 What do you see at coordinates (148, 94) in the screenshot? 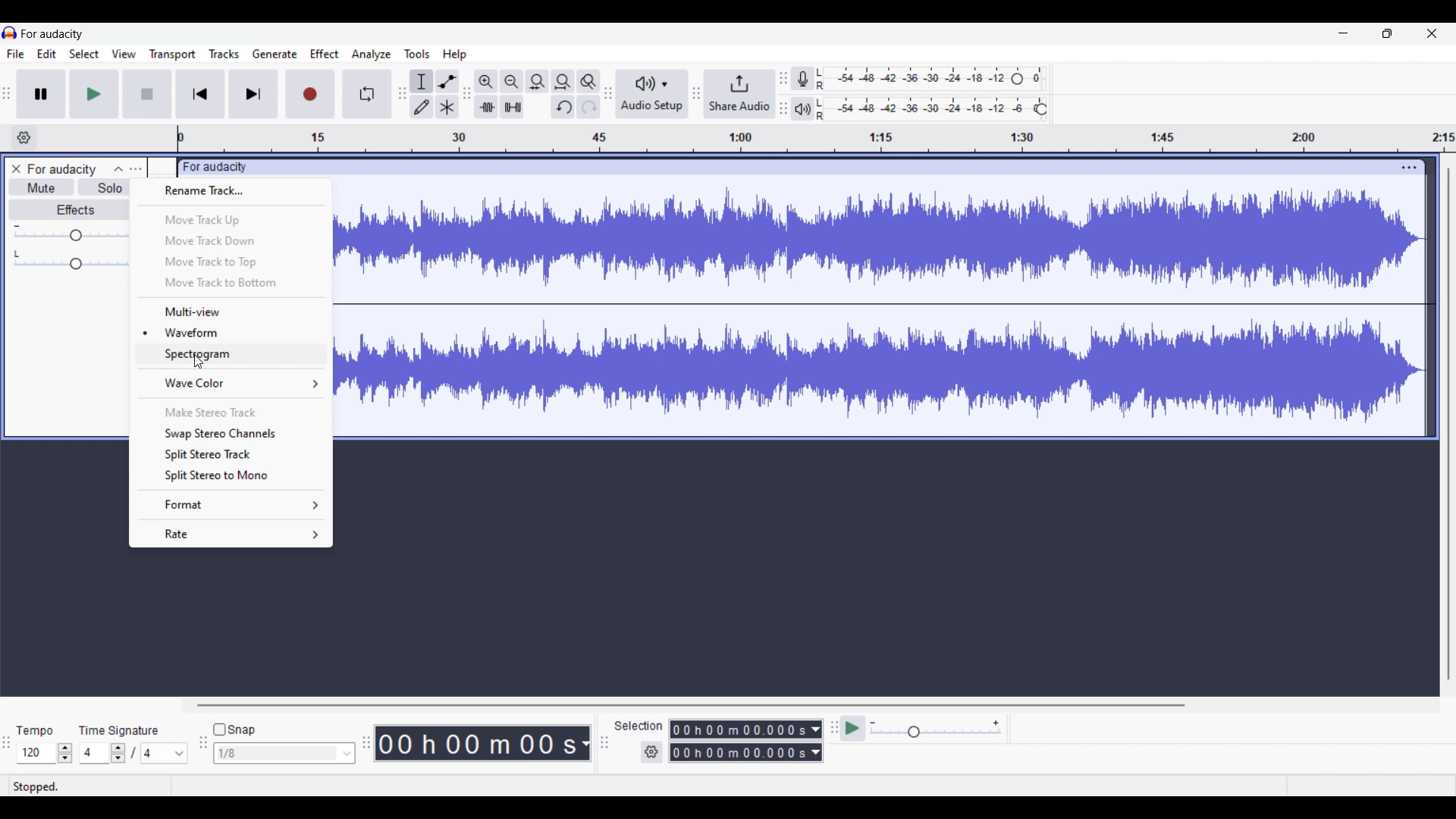
I see `Start` at bounding box center [148, 94].